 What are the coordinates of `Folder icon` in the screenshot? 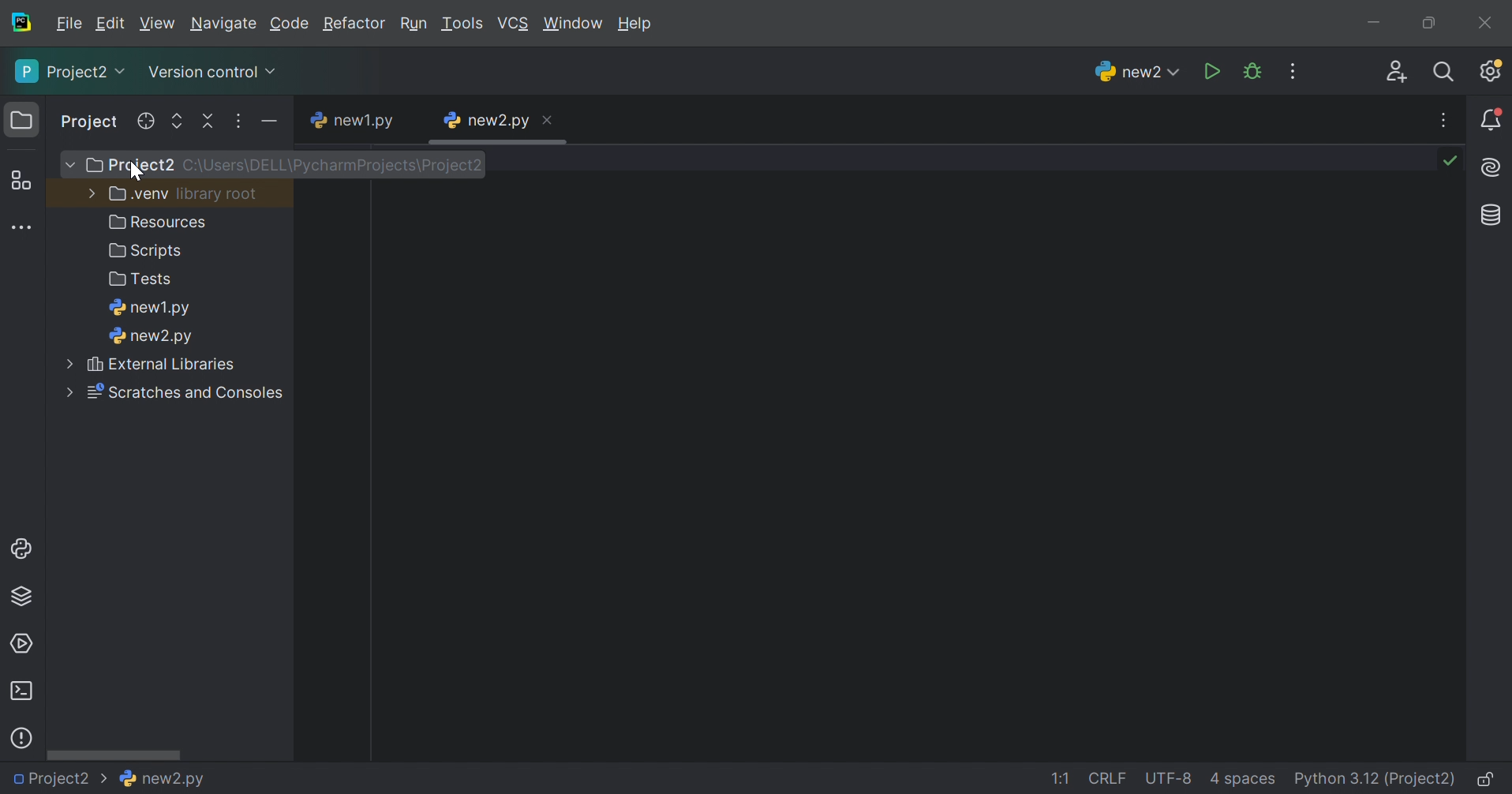 It's located at (18, 118).